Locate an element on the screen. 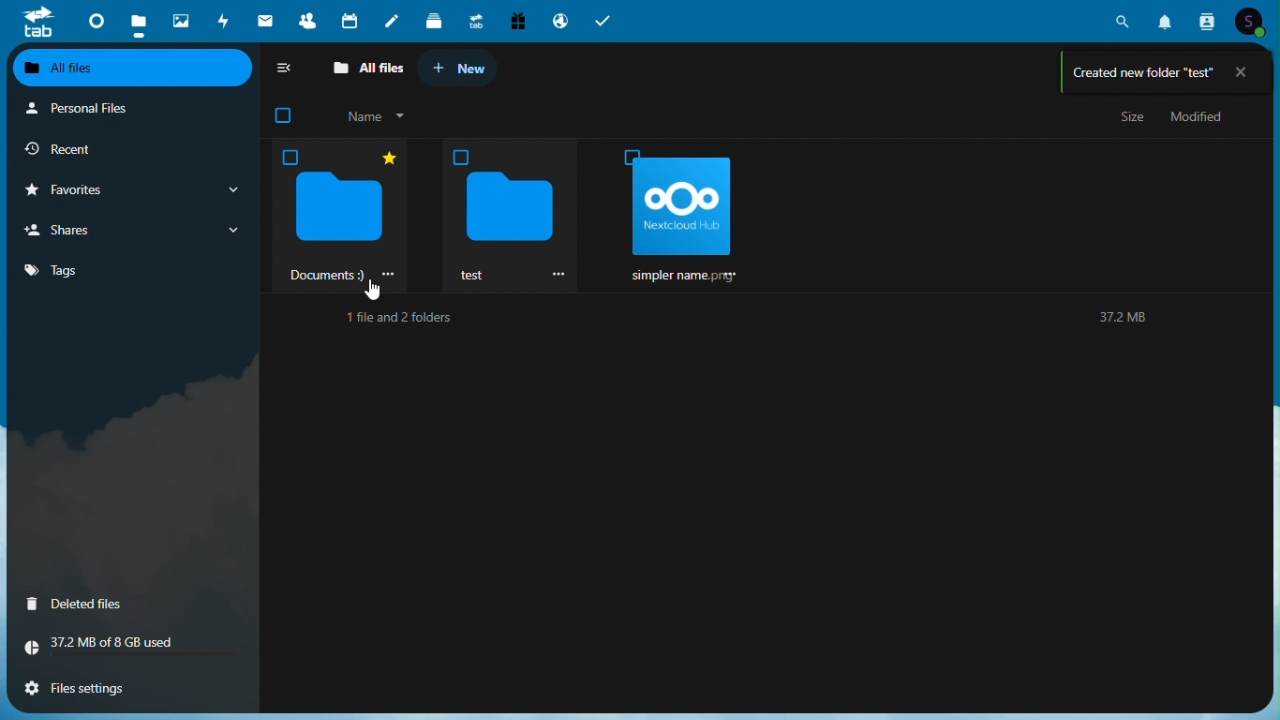 This screenshot has width=1280, height=720. Files is located at coordinates (141, 19).